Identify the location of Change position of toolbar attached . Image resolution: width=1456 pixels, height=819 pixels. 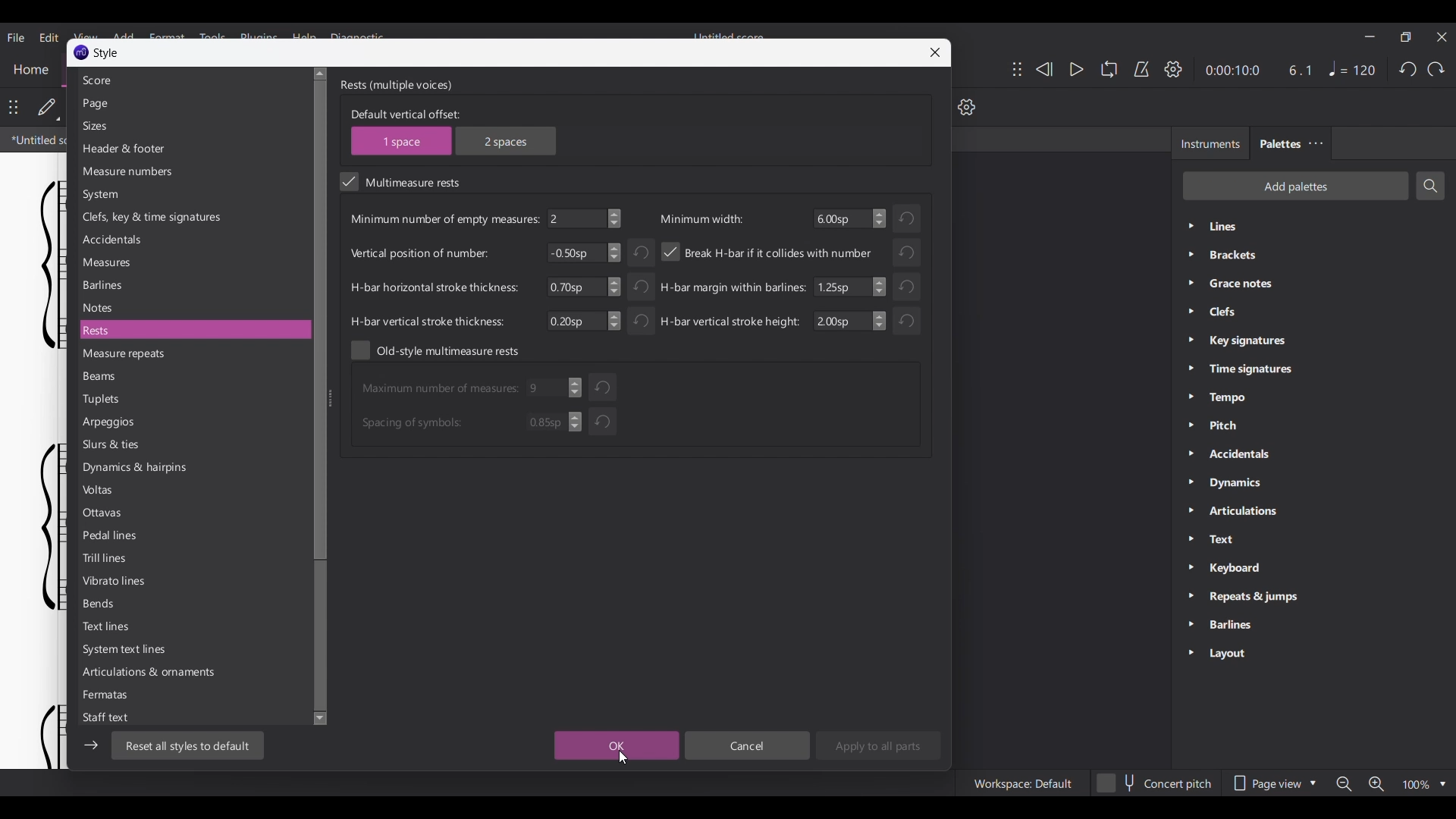
(14, 107).